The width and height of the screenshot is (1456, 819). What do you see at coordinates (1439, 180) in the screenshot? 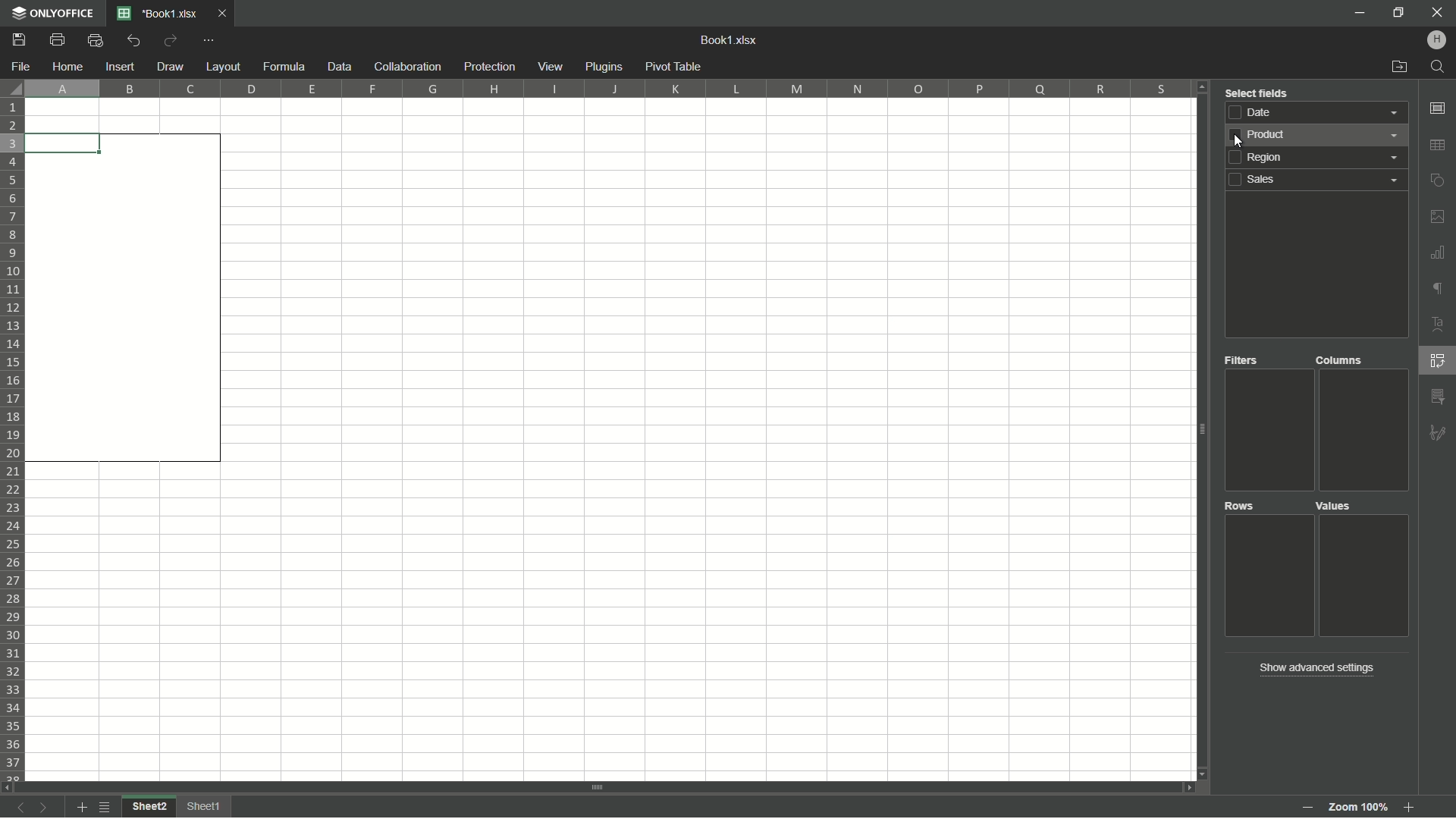
I see `insert shape` at bounding box center [1439, 180].